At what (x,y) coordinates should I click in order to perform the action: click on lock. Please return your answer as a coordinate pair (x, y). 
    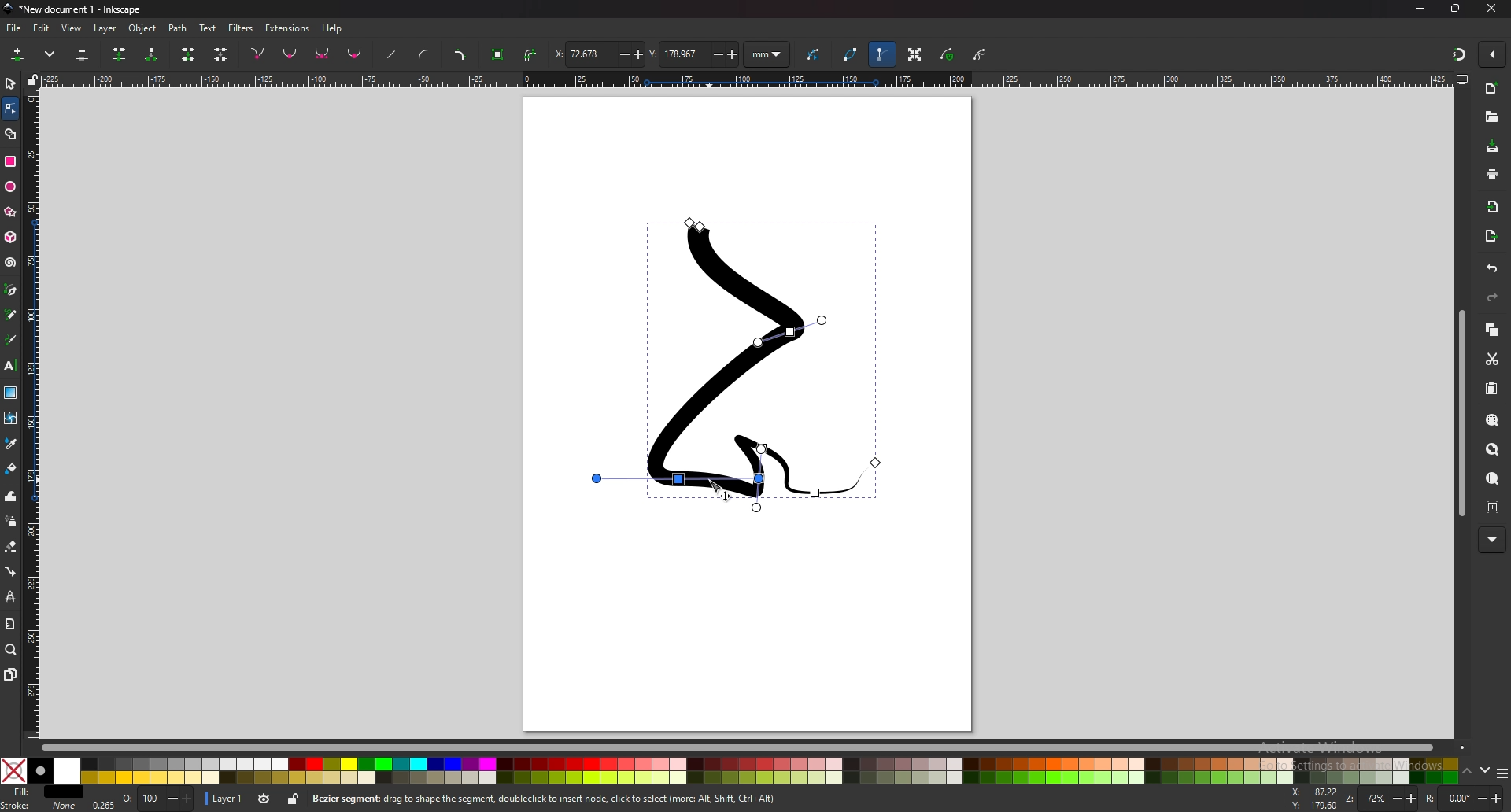
    Looking at the image, I should click on (292, 801).